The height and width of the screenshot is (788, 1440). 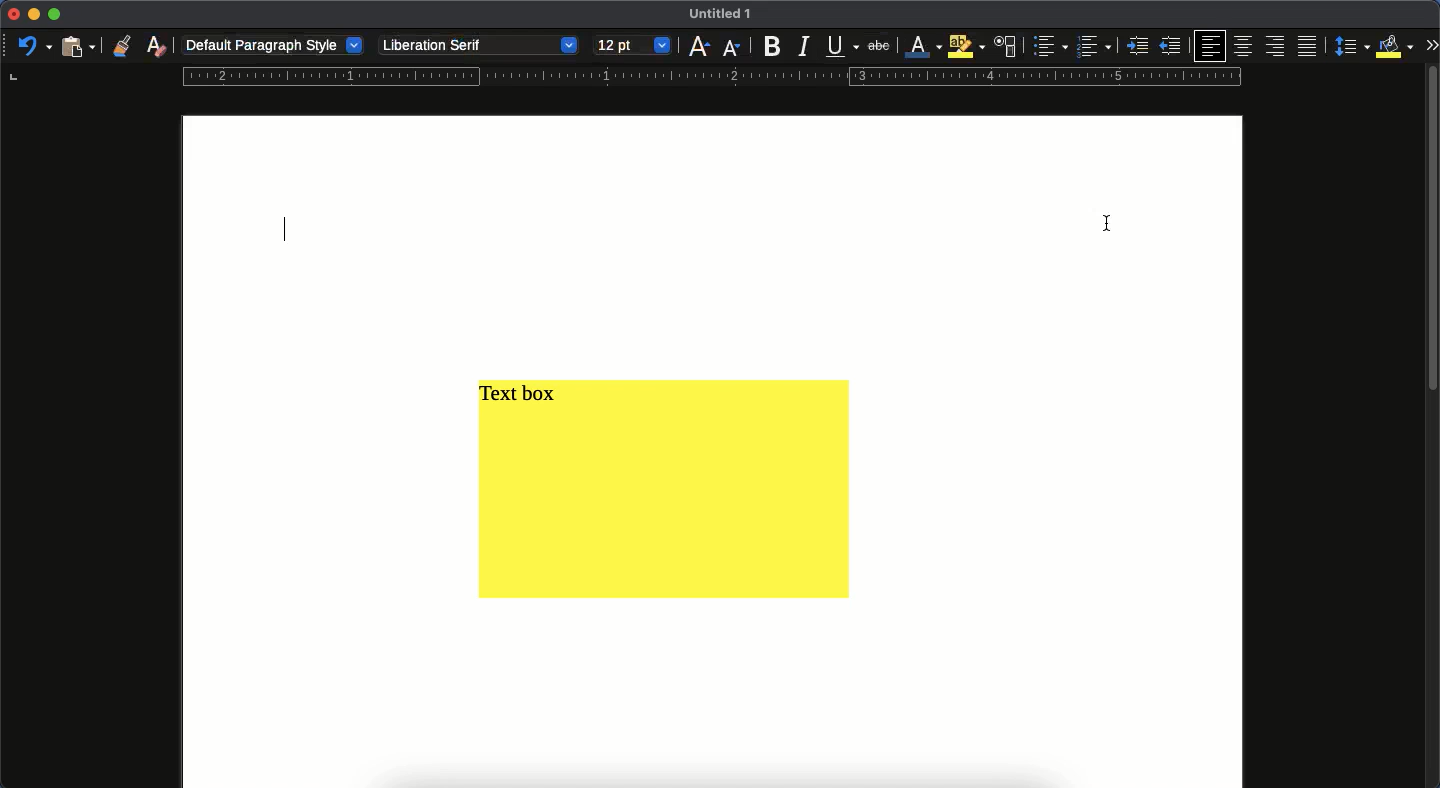 What do you see at coordinates (803, 46) in the screenshot?
I see `italic ` at bounding box center [803, 46].